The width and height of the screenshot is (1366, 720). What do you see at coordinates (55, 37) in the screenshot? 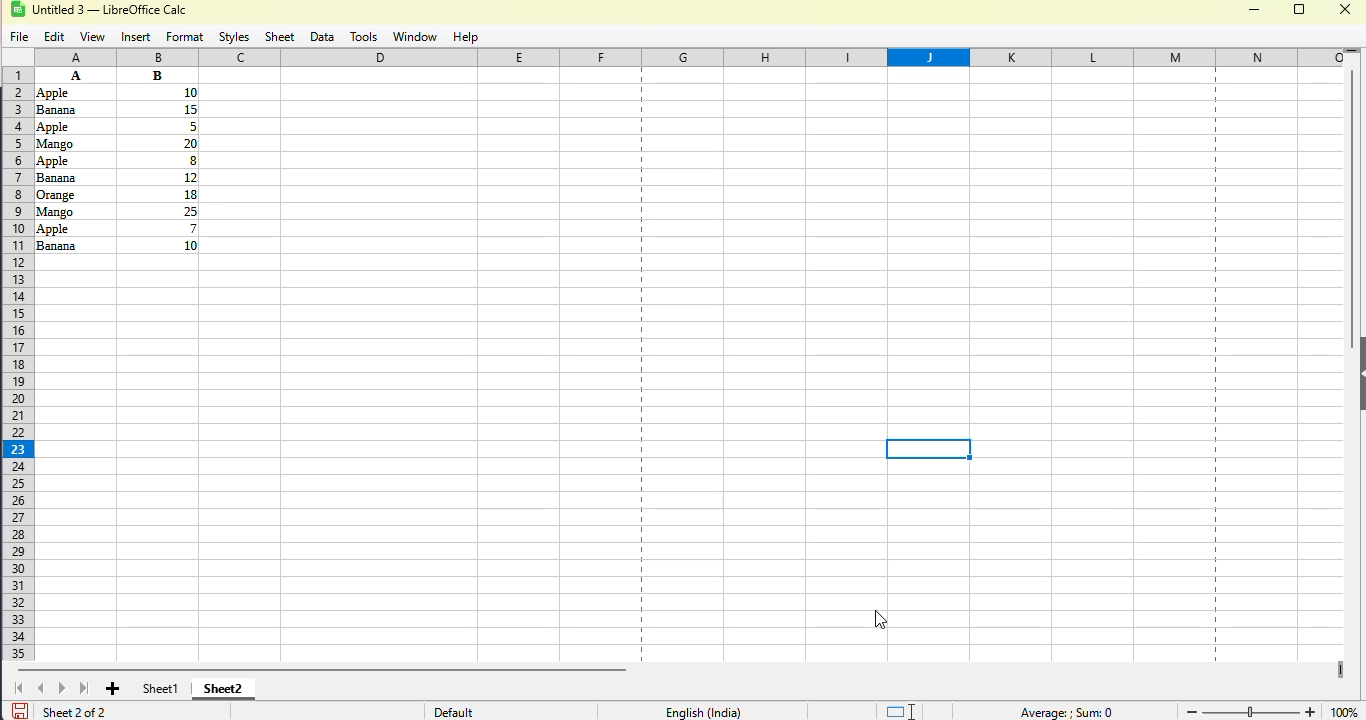
I see `edit` at bounding box center [55, 37].